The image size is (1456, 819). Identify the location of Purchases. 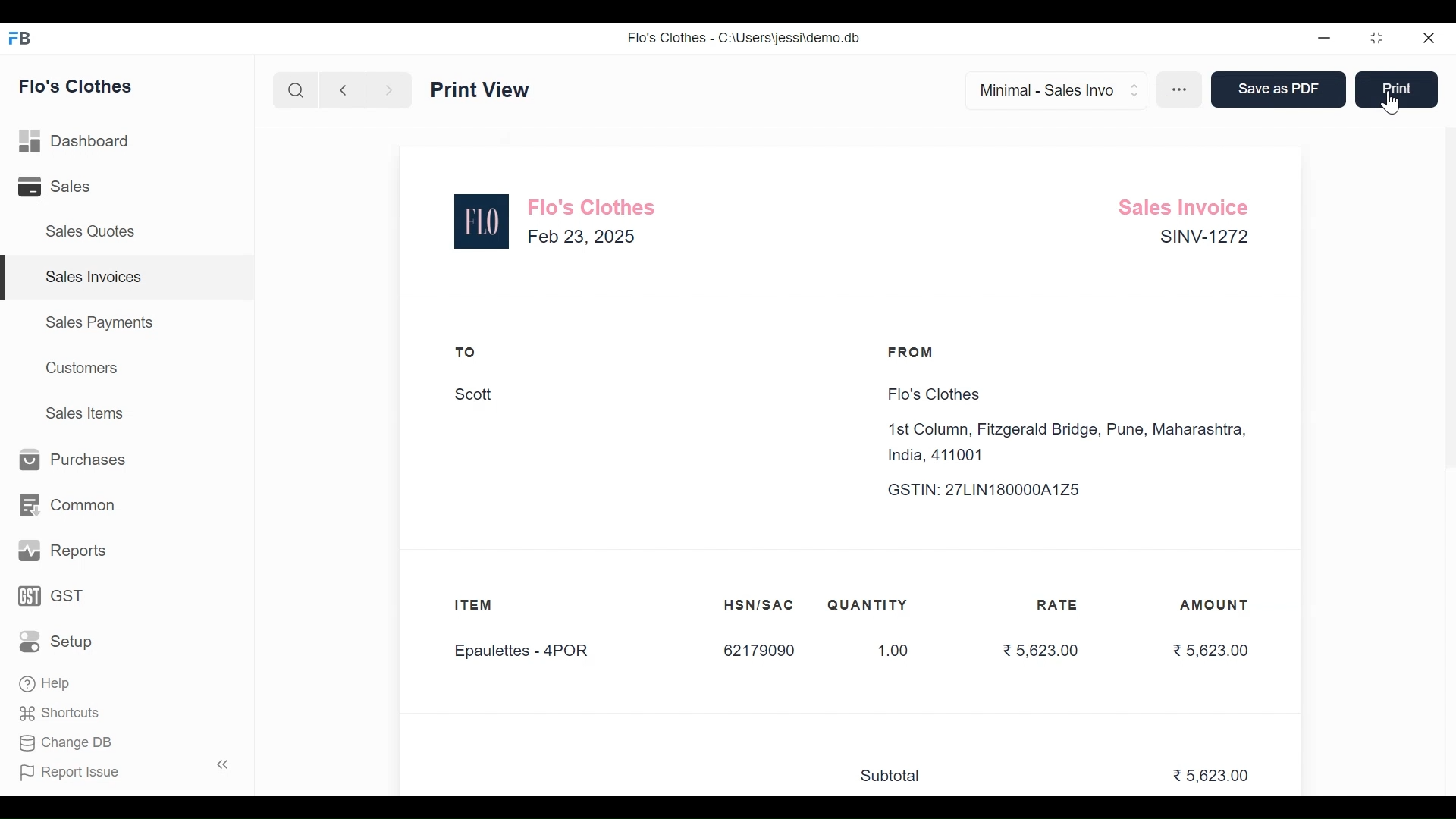
(74, 462).